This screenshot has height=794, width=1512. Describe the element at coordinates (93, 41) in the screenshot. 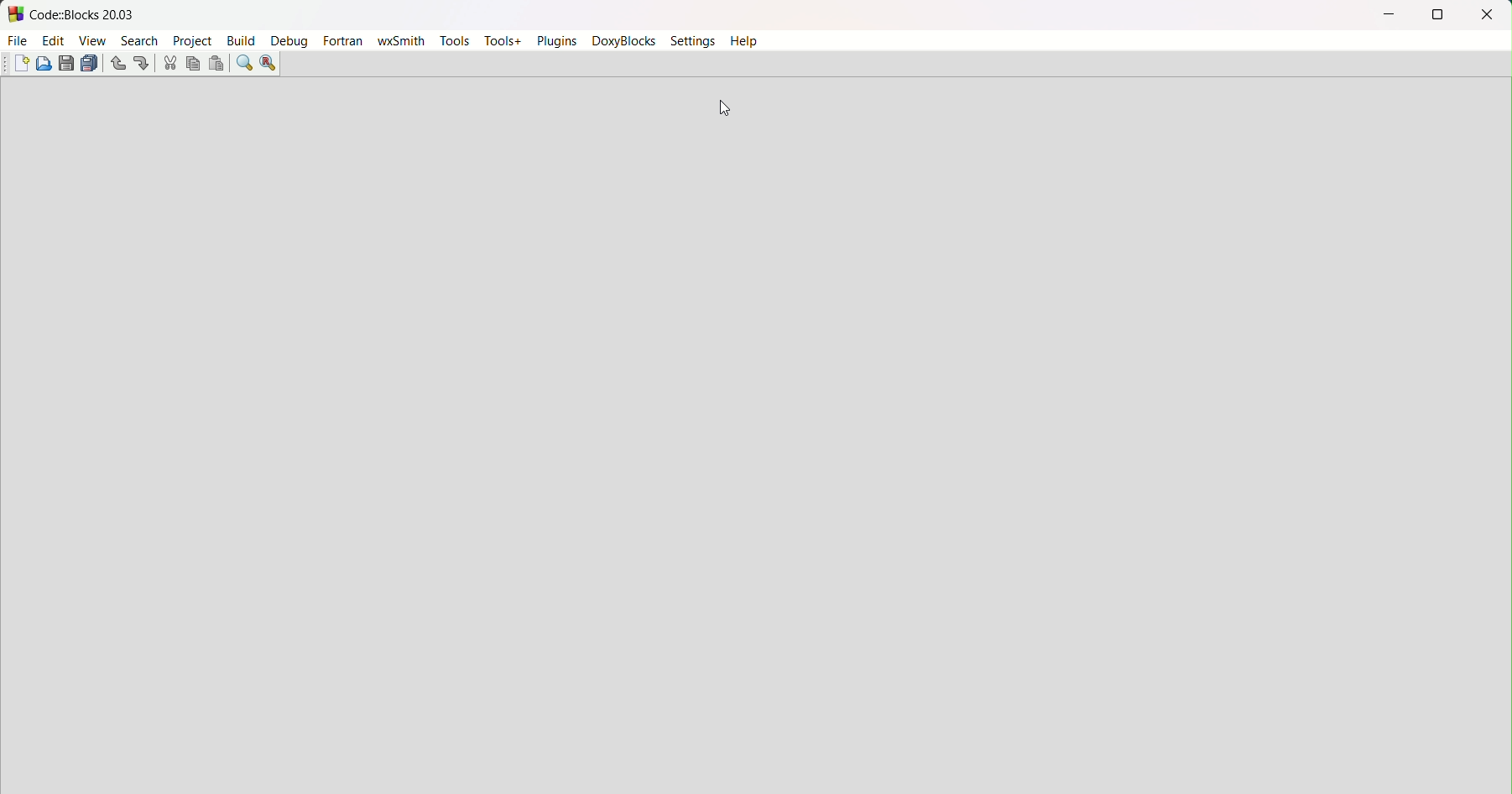

I see `view` at that location.